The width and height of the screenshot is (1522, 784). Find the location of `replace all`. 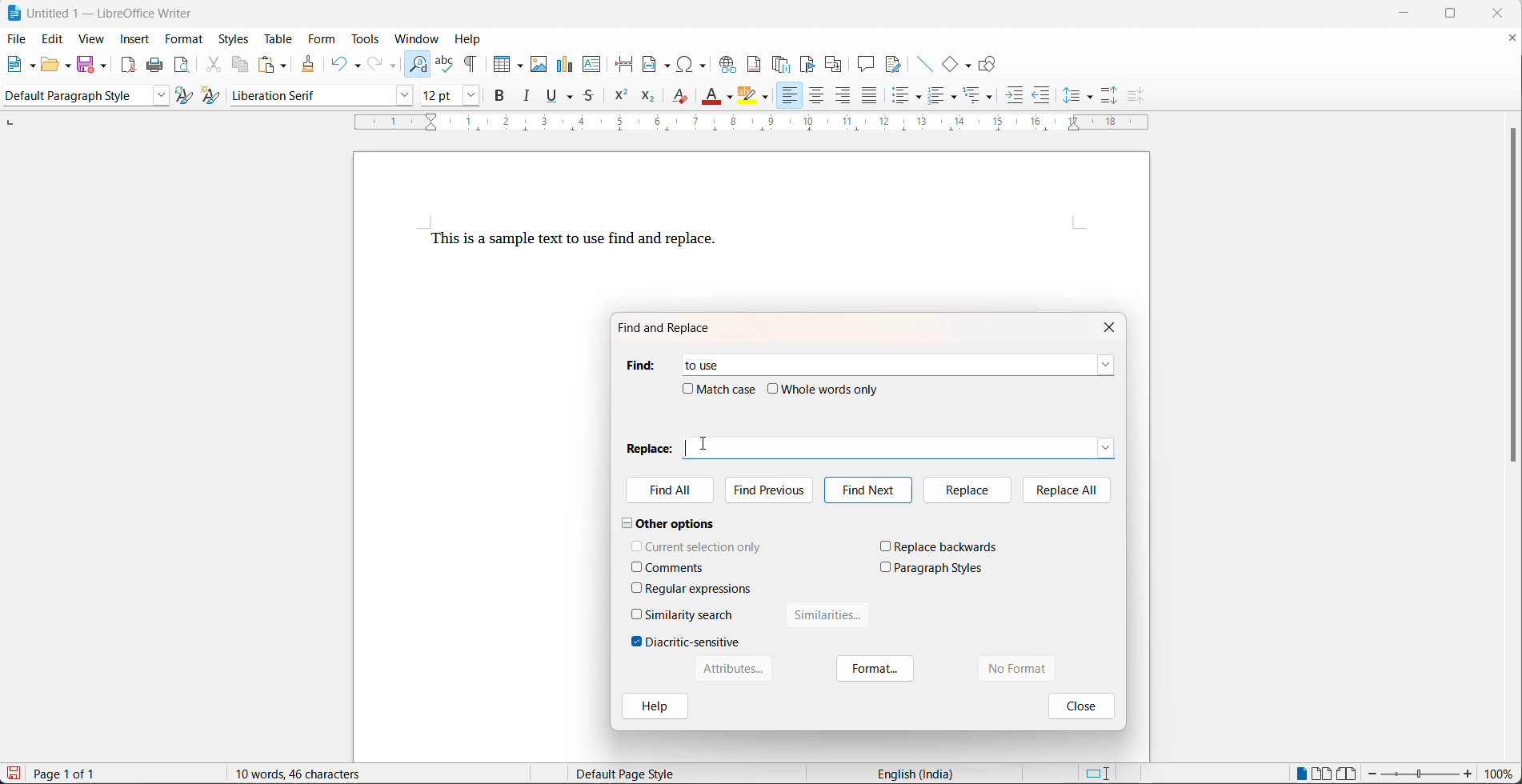

replace all is located at coordinates (1067, 489).